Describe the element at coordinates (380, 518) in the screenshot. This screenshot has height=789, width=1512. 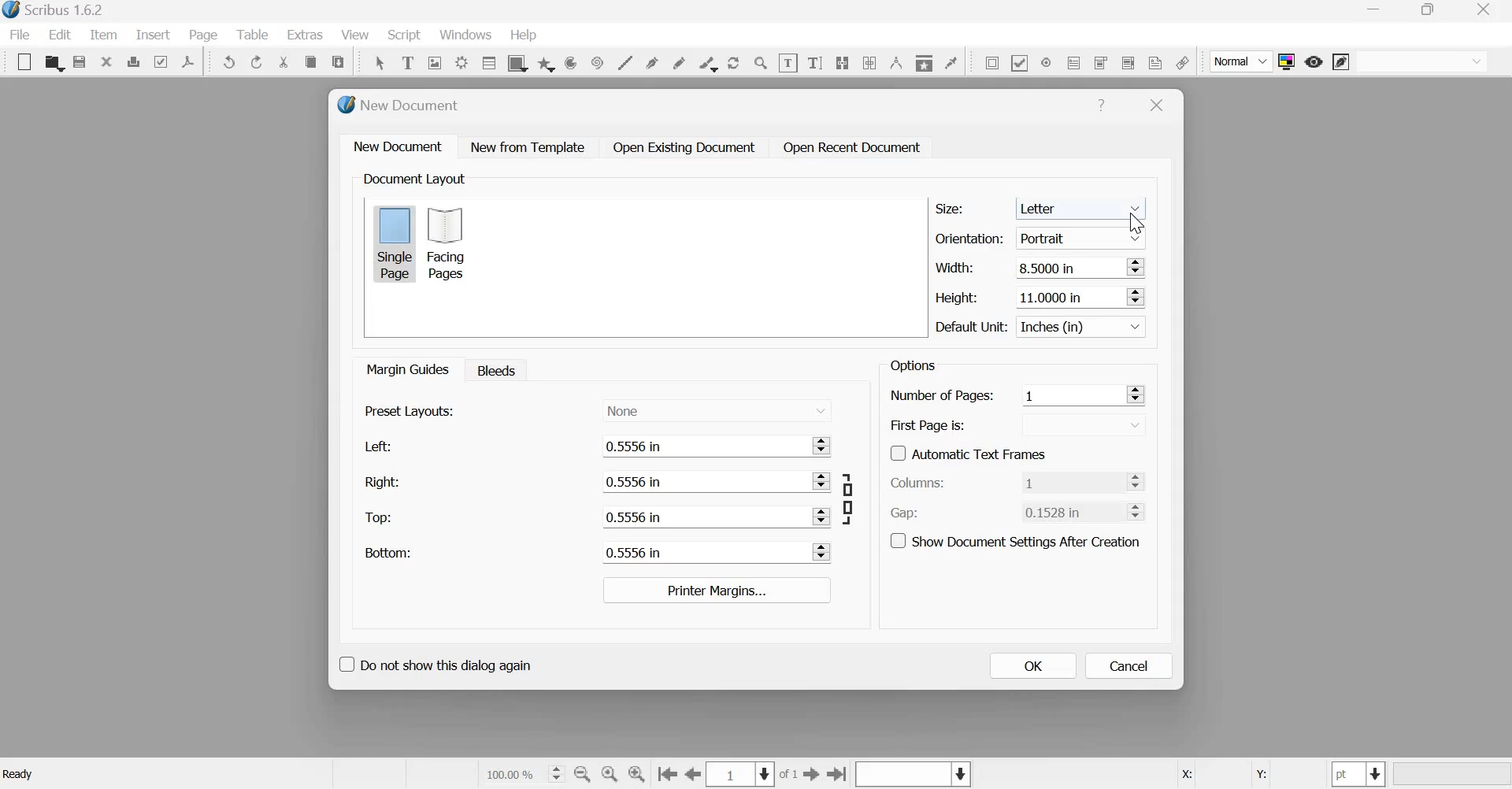
I see `Top:` at that location.